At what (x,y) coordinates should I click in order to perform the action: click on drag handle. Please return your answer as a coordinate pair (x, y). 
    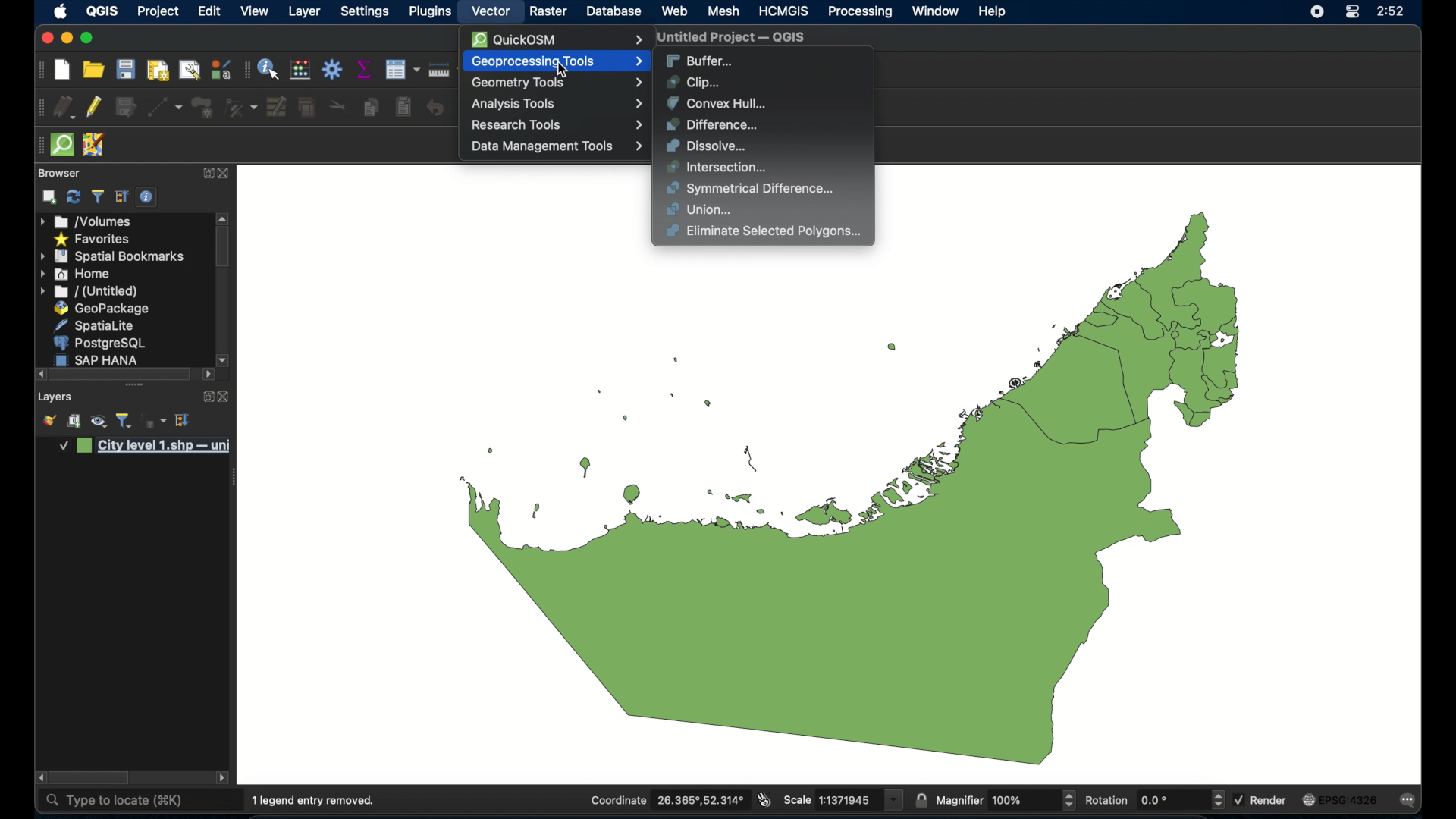
    Looking at the image, I should click on (133, 385).